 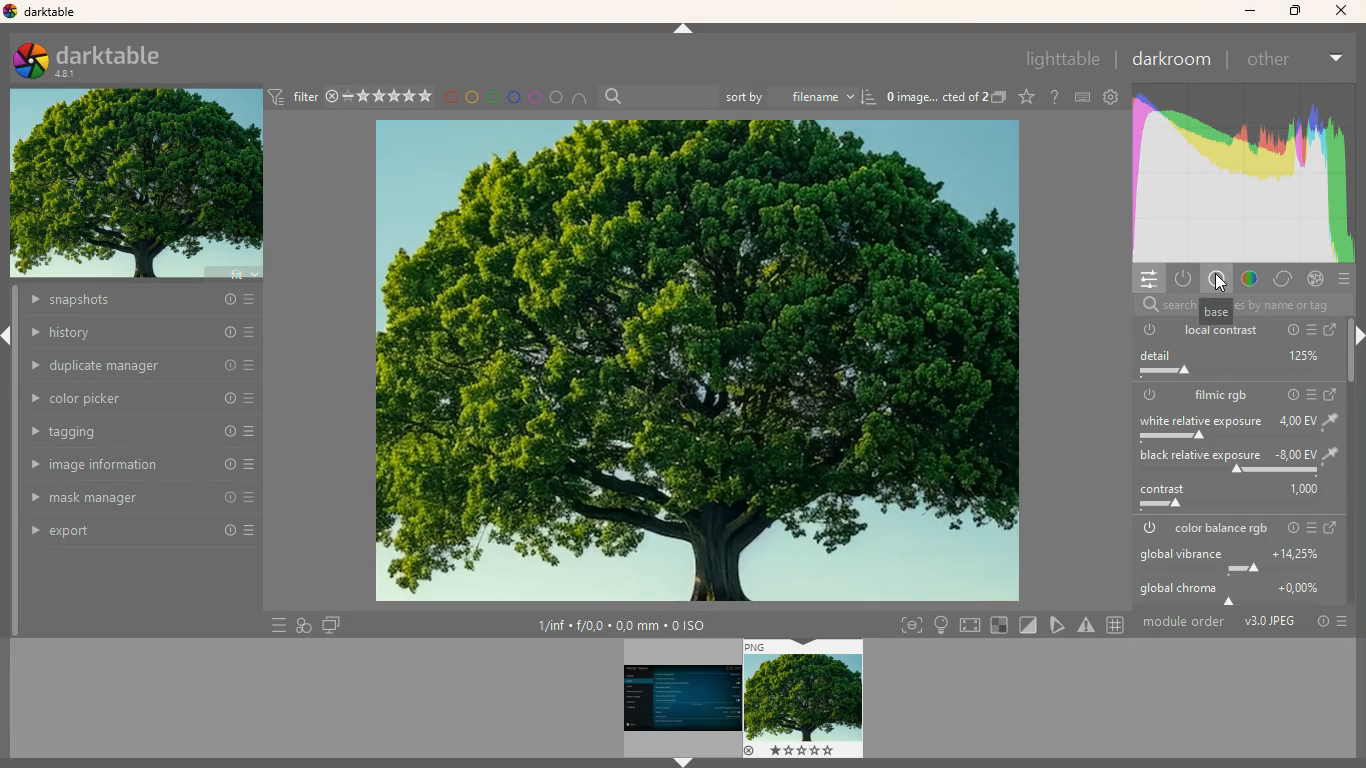 I want to click on local contrast, so click(x=1222, y=331).